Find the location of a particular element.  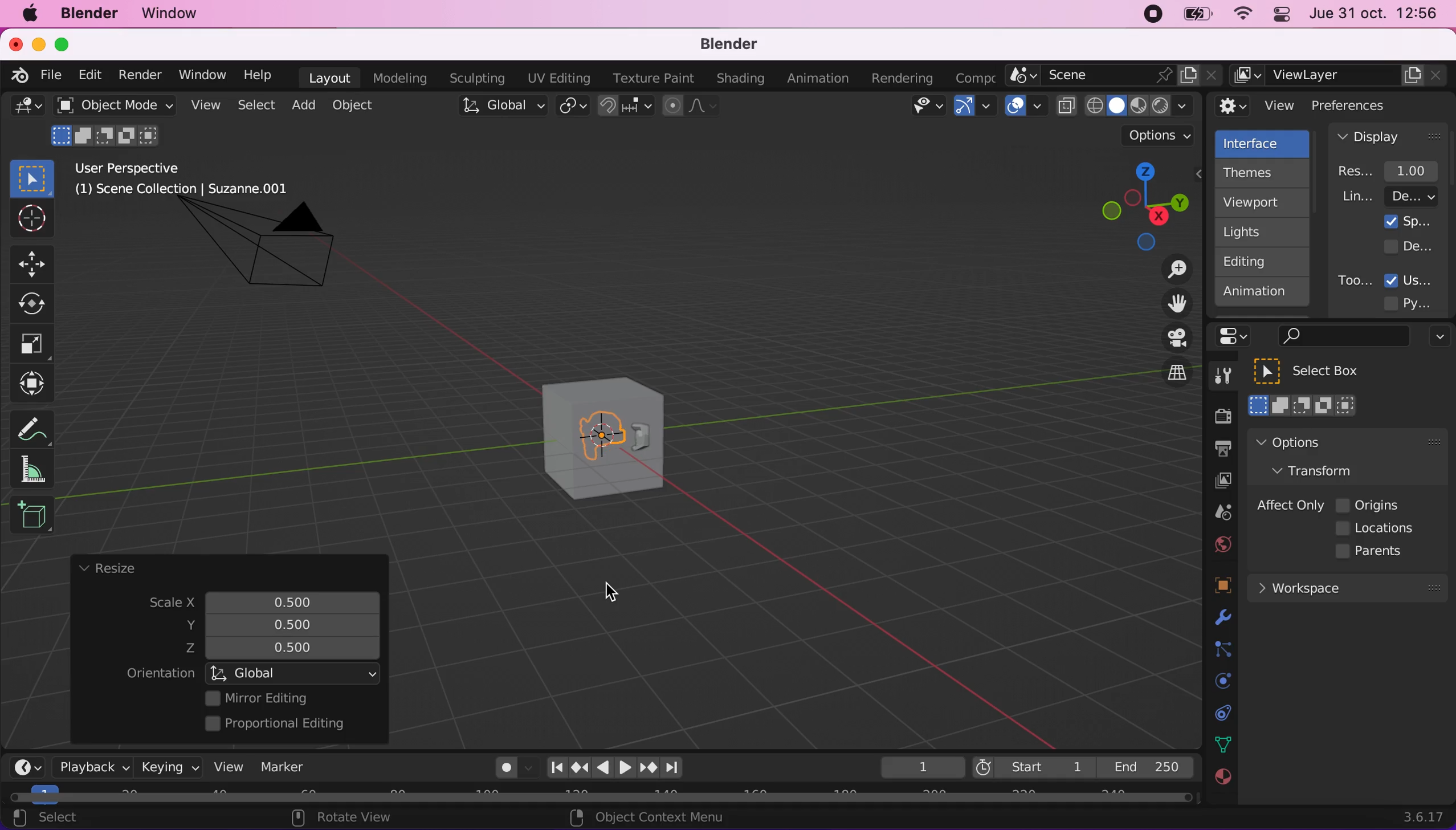

viewport shading is located at coordinates (1128, 105).